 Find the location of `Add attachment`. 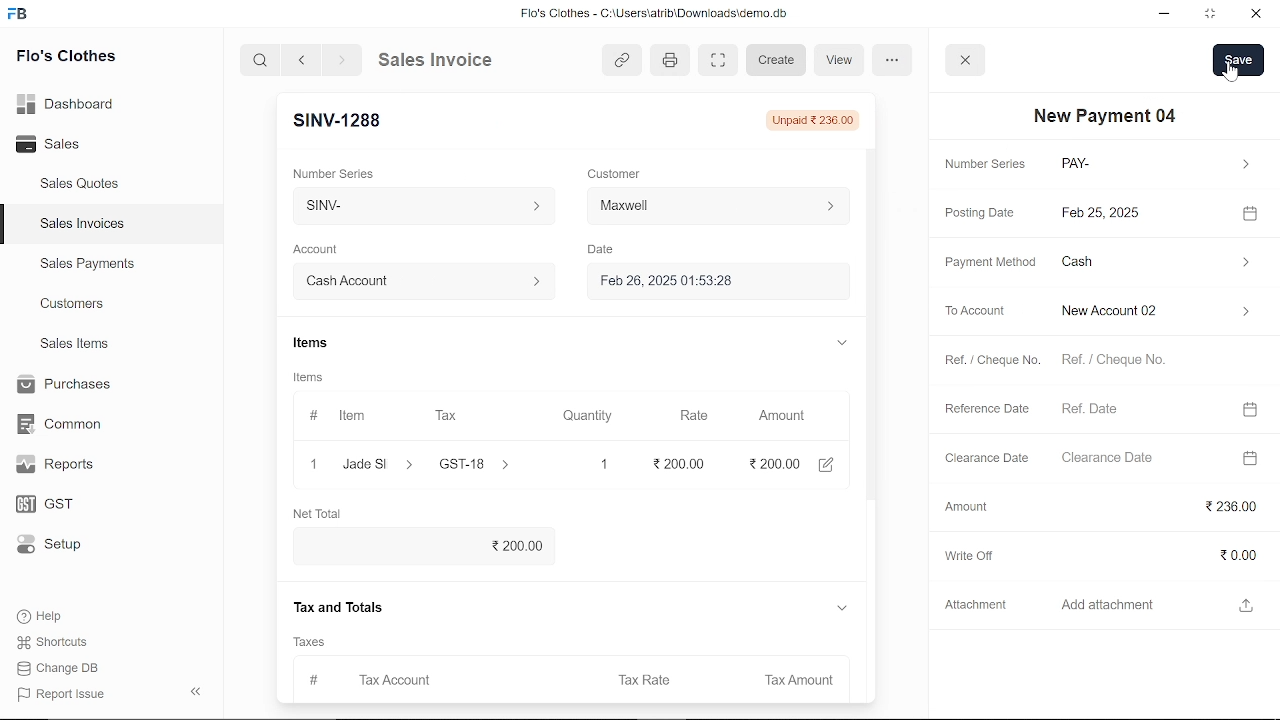

Add attachment is located at coordinates (1145, 604).